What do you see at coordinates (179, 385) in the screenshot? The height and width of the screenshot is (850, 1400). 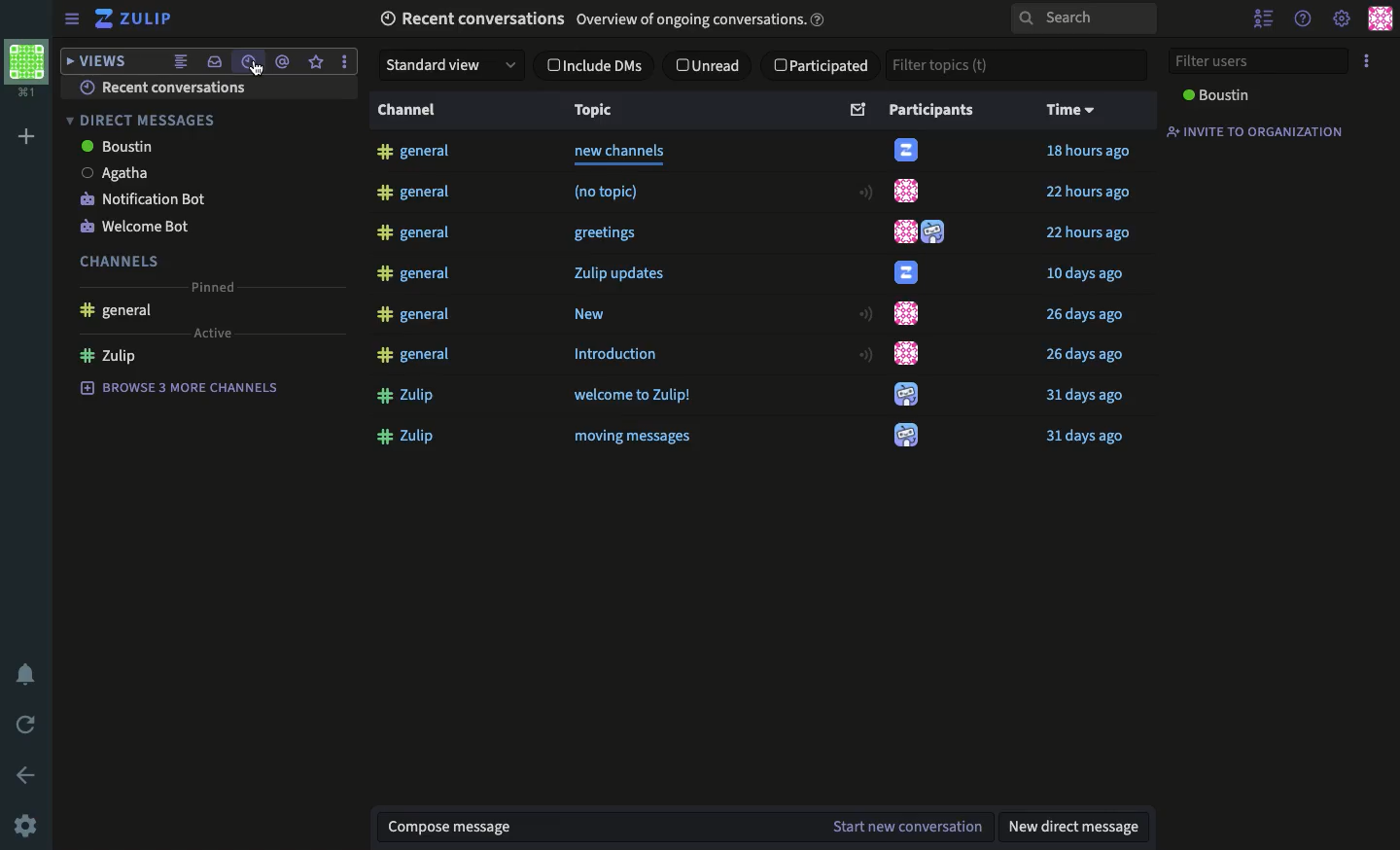 I see `browse 3 more channels` at bounding box center [179, 385].